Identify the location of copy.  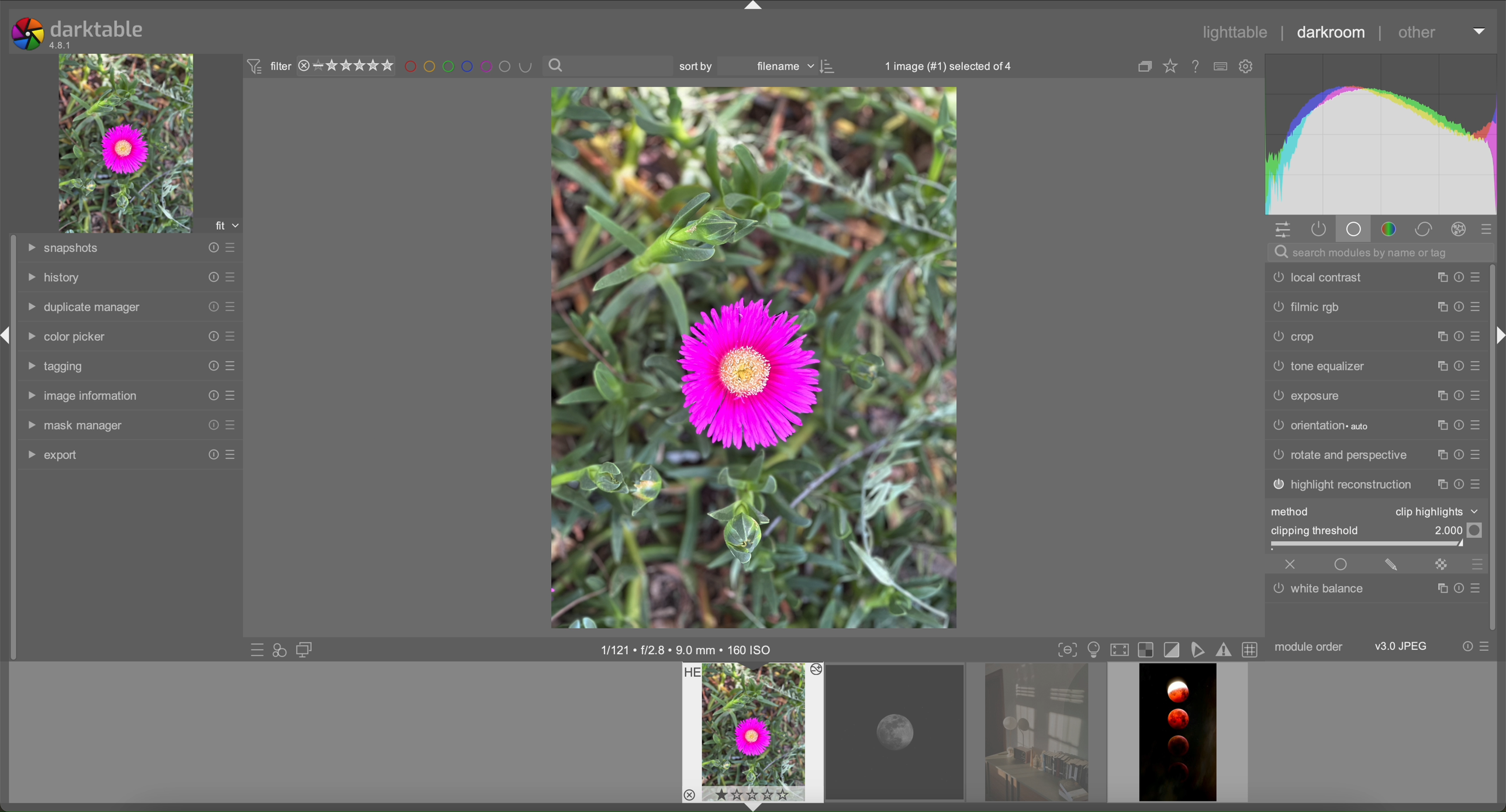
(1441, 457).